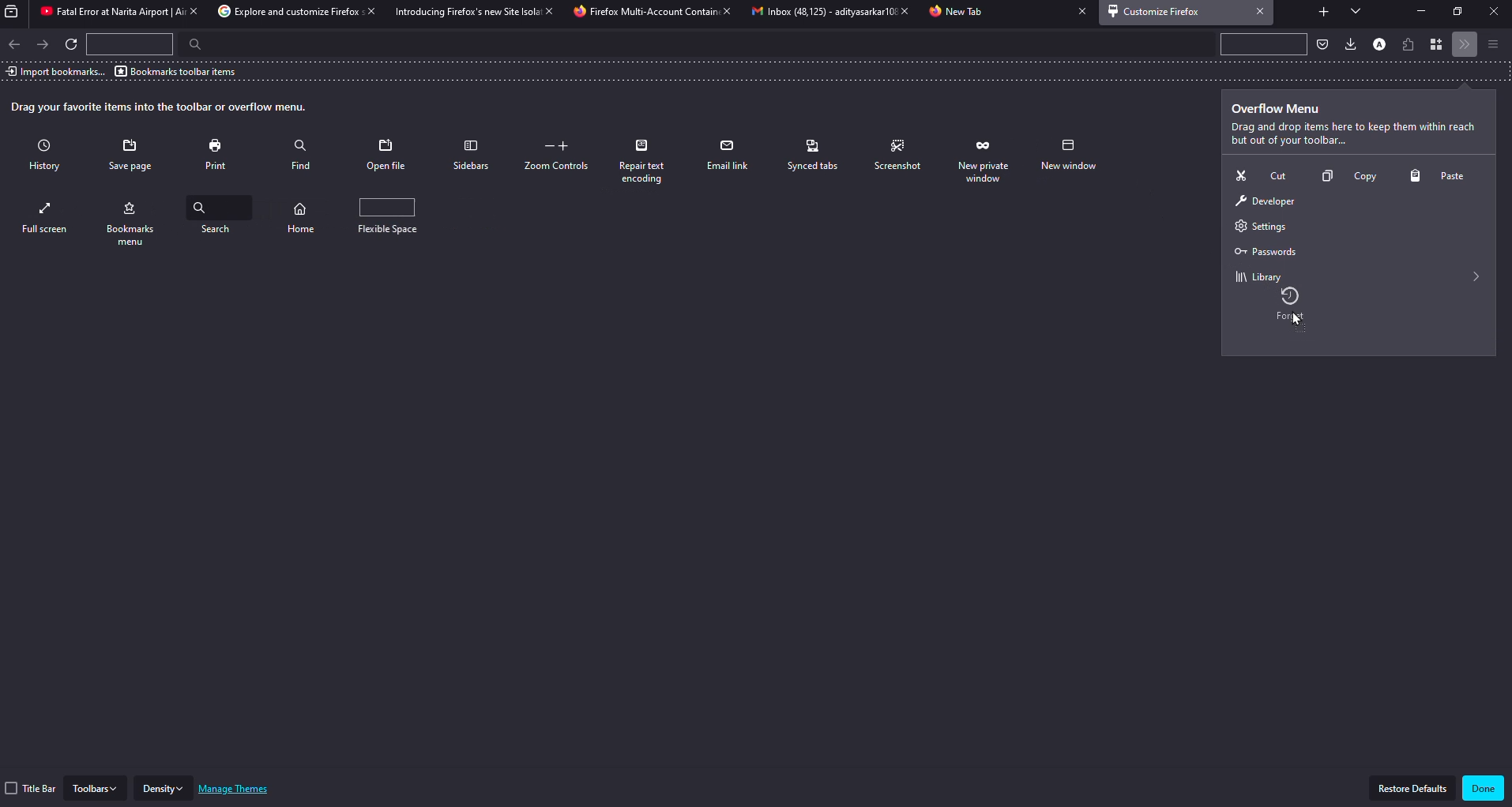 The width and height of the screenshot is (1512, 807). Describe the element at coordinates (301, 152) in the screenshot. I see `find` at that location.